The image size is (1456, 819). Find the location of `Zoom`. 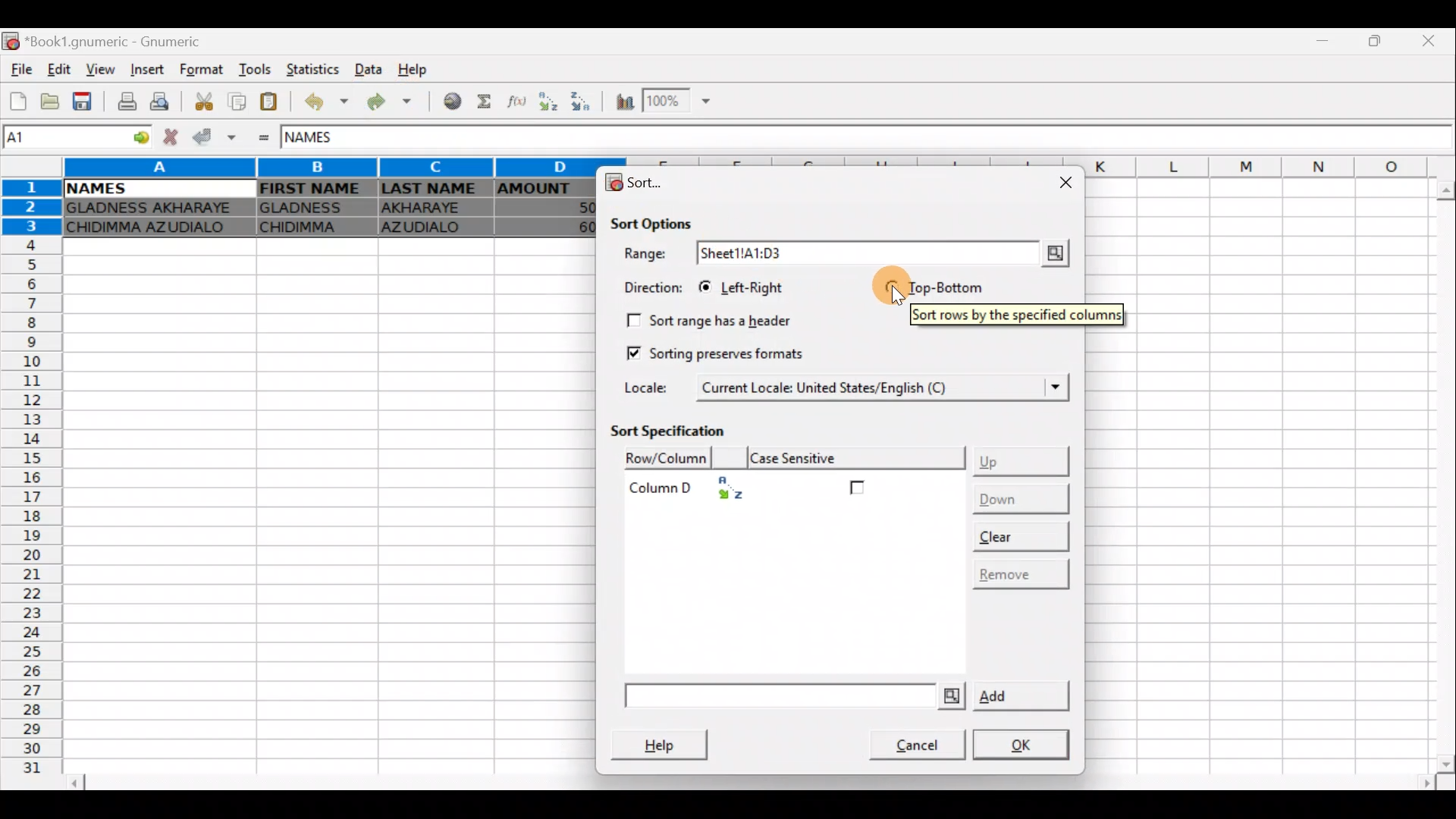

Zoom is located at coordinates (682, 99).